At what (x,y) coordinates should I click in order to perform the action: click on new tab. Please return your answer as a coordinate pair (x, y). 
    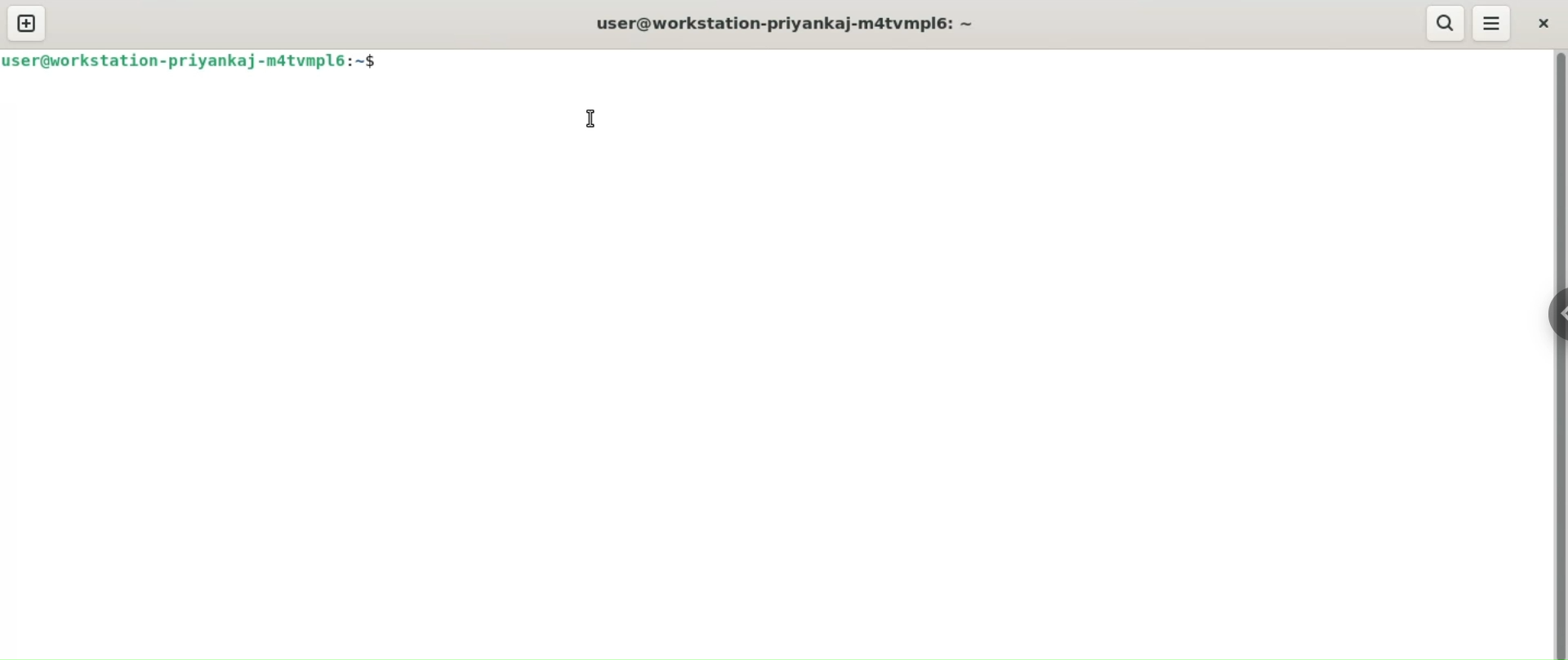
    Looking at the image, I should click on (26, 24).